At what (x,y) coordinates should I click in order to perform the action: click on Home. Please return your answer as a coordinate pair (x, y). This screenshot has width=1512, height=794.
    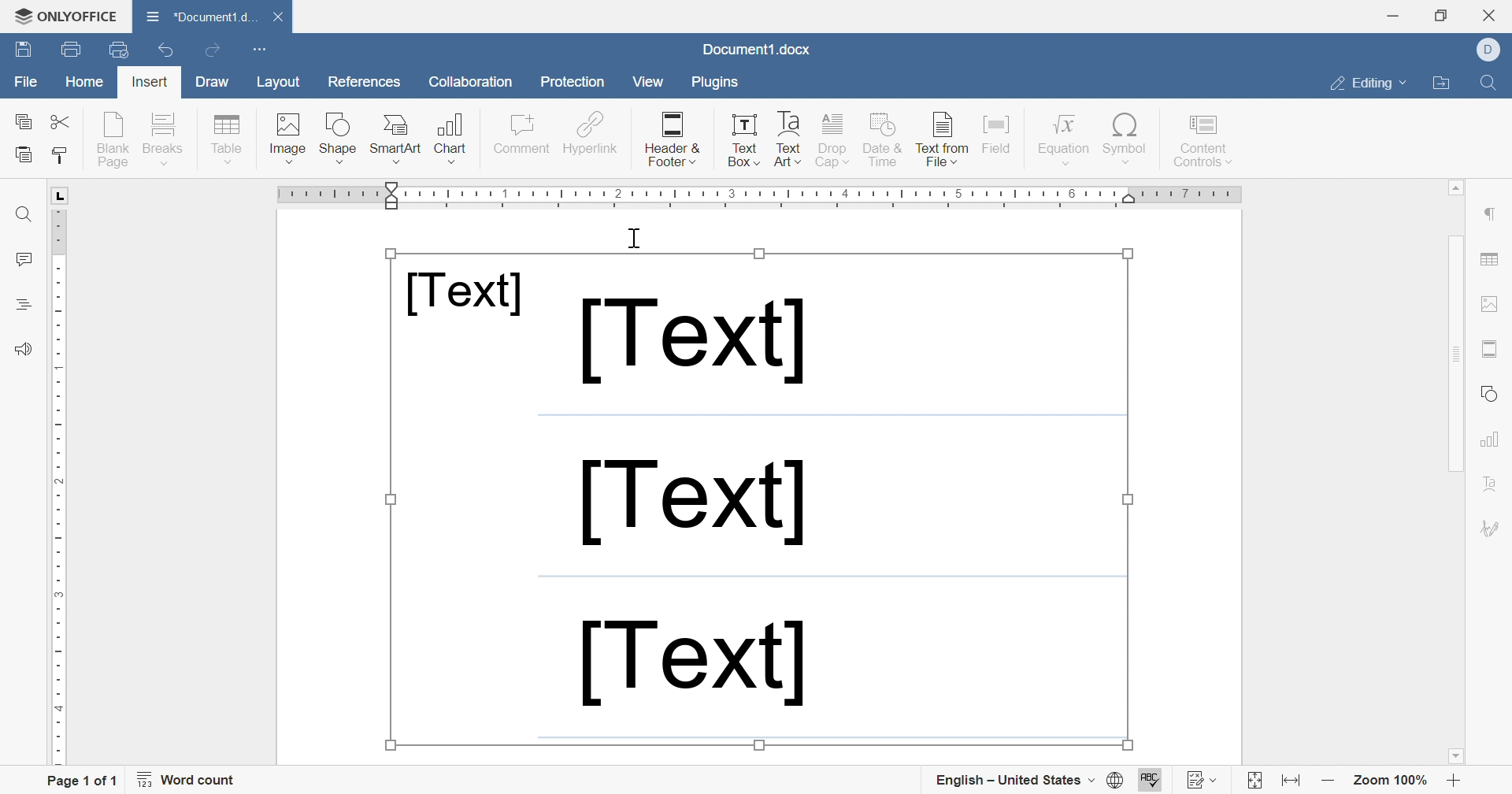
    Looking at the image, I should click on (86, 82).